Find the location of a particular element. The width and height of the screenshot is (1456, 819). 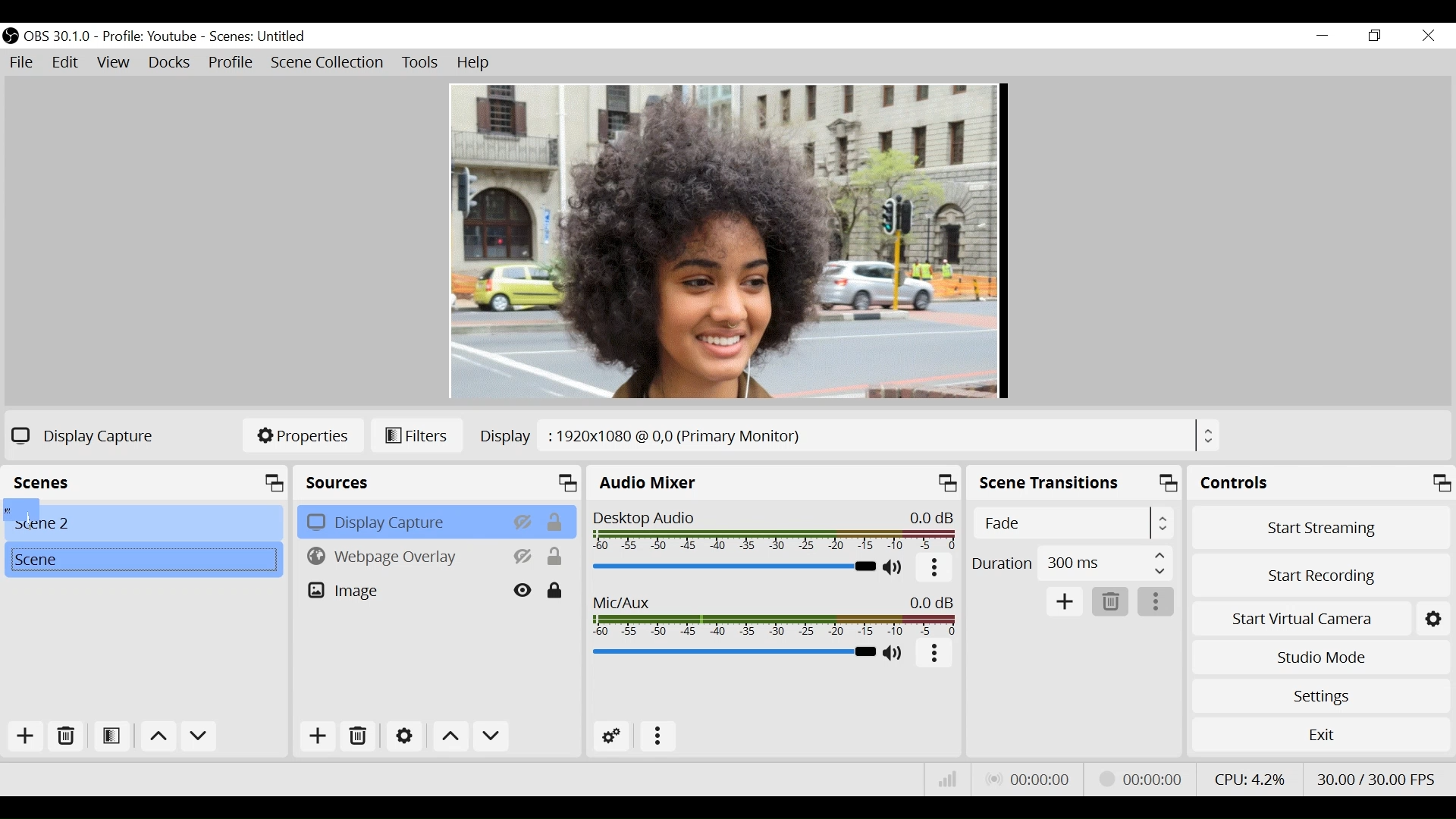

Profile is located at coordinates (231, 64).